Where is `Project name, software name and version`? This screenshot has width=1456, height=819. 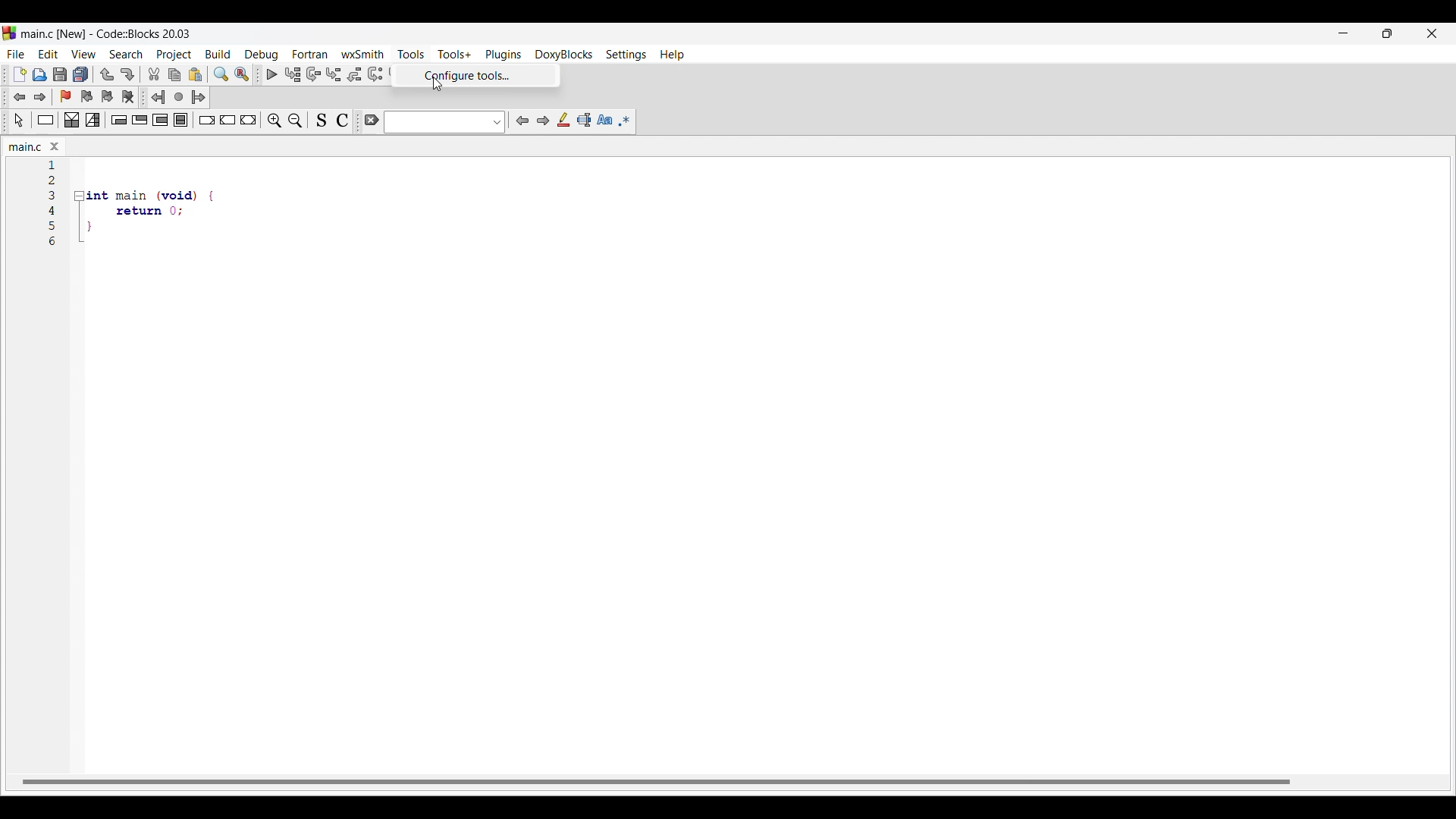 Project name, software name and version is located at coordinates (108, 34).